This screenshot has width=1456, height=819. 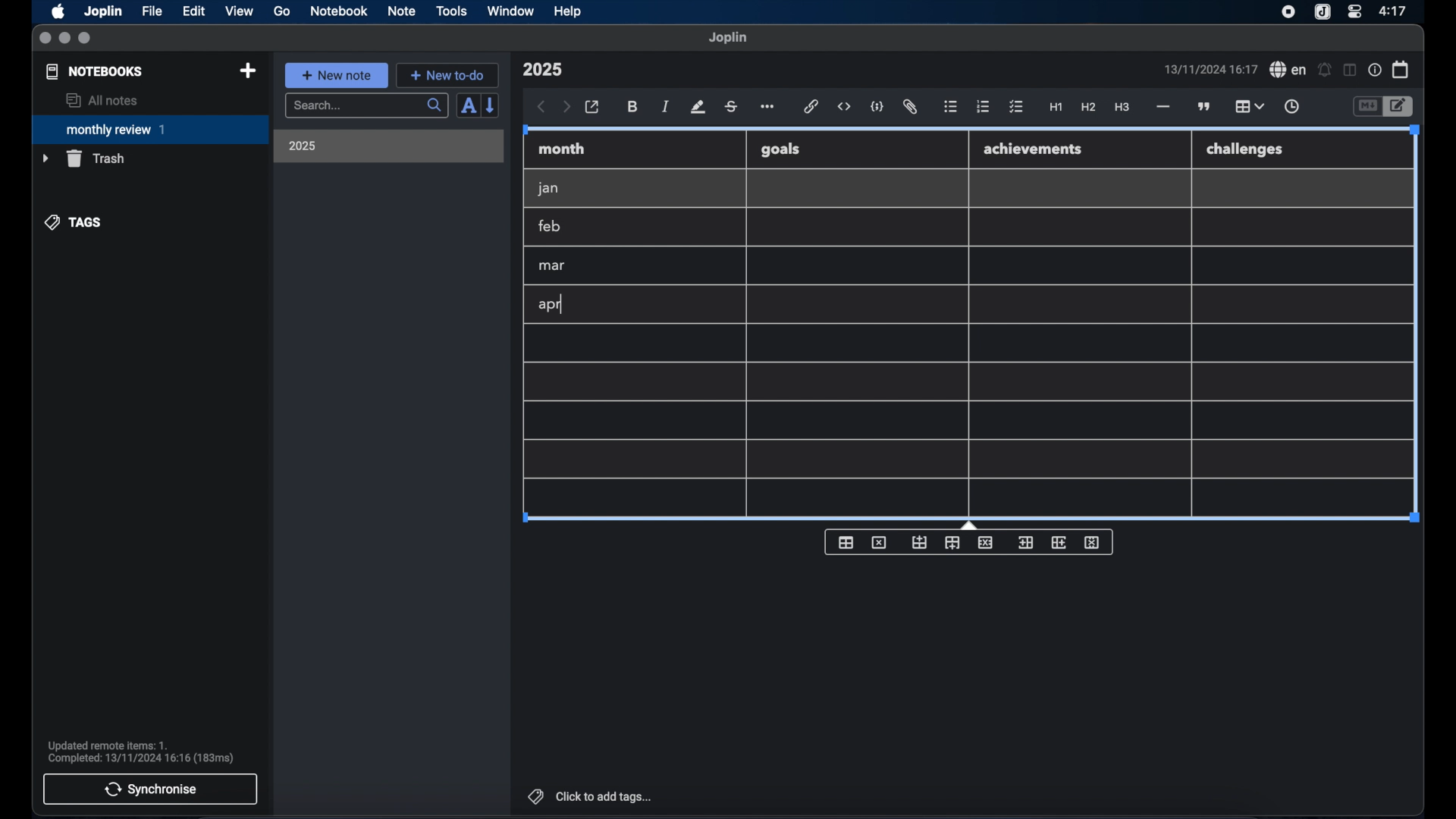 What do you see at coordinates (451, 11) in the screenshot?
I see `tools` at bounding box center [451, 11].